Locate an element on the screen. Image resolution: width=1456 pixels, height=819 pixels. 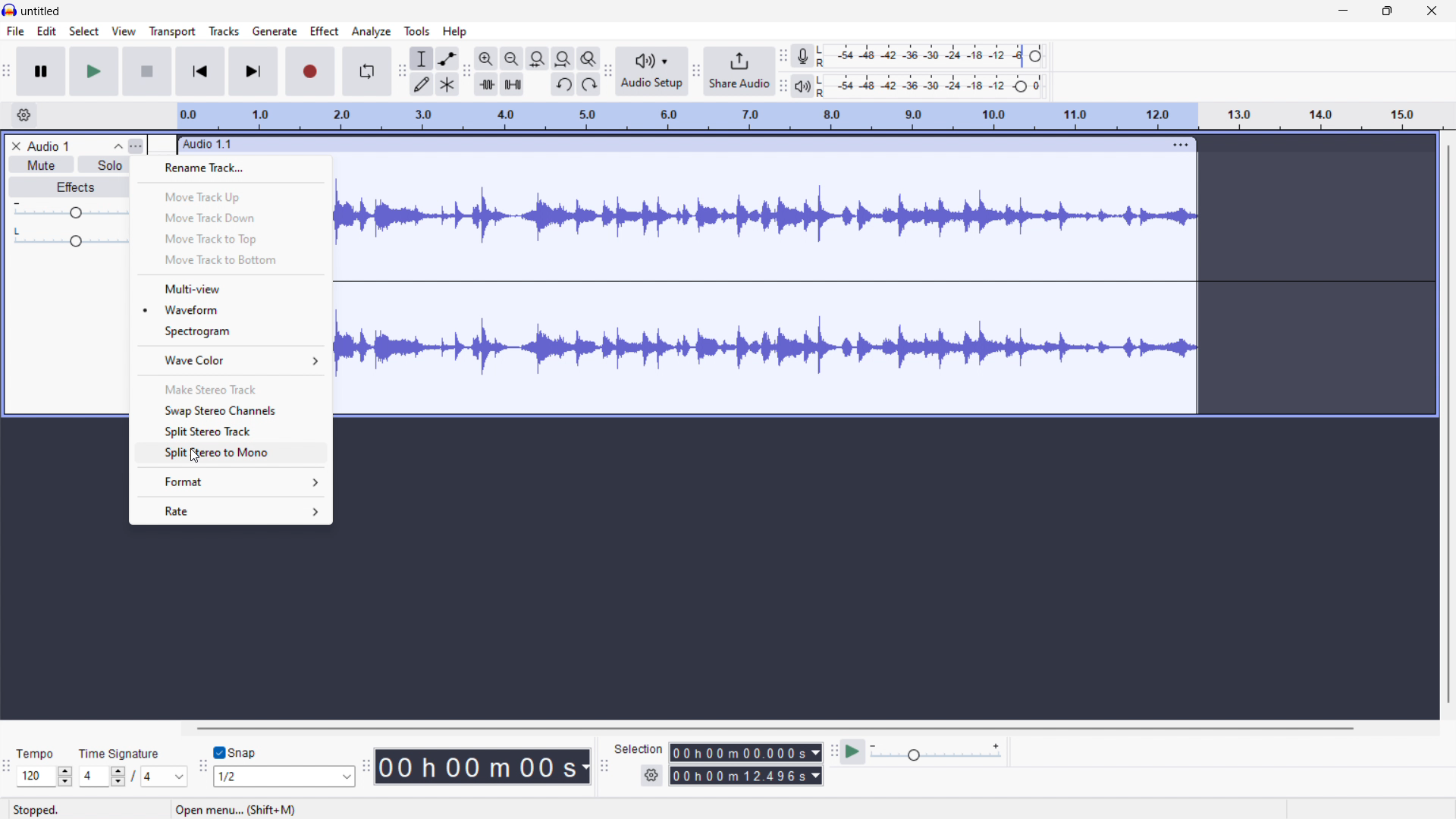
record is located at coordinates (310, 72).